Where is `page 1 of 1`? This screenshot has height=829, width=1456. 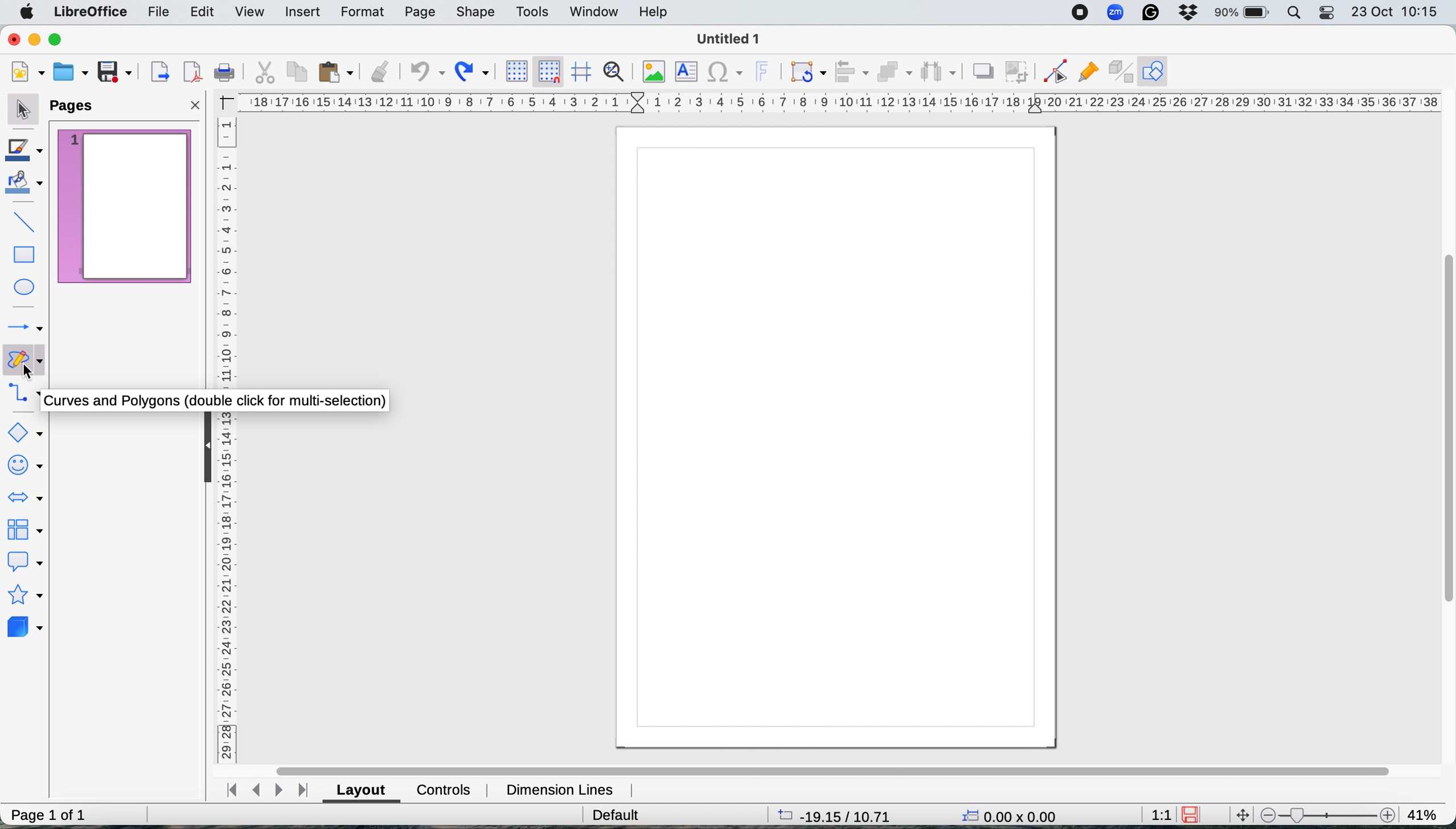
page 1 of 1 is located at coordinates (50, 811).